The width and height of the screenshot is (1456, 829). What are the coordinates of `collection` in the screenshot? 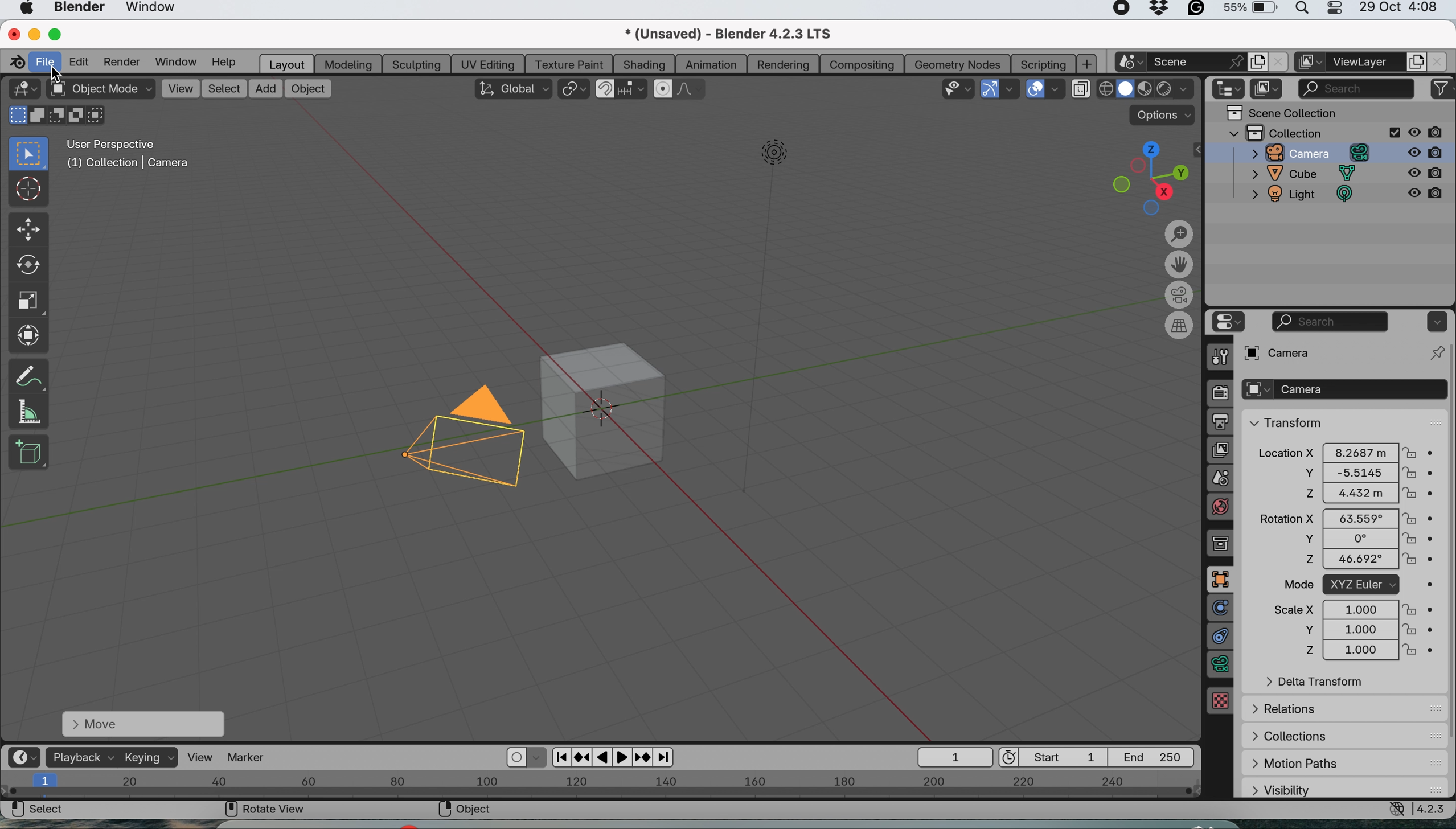 It's located at (1224, 543).